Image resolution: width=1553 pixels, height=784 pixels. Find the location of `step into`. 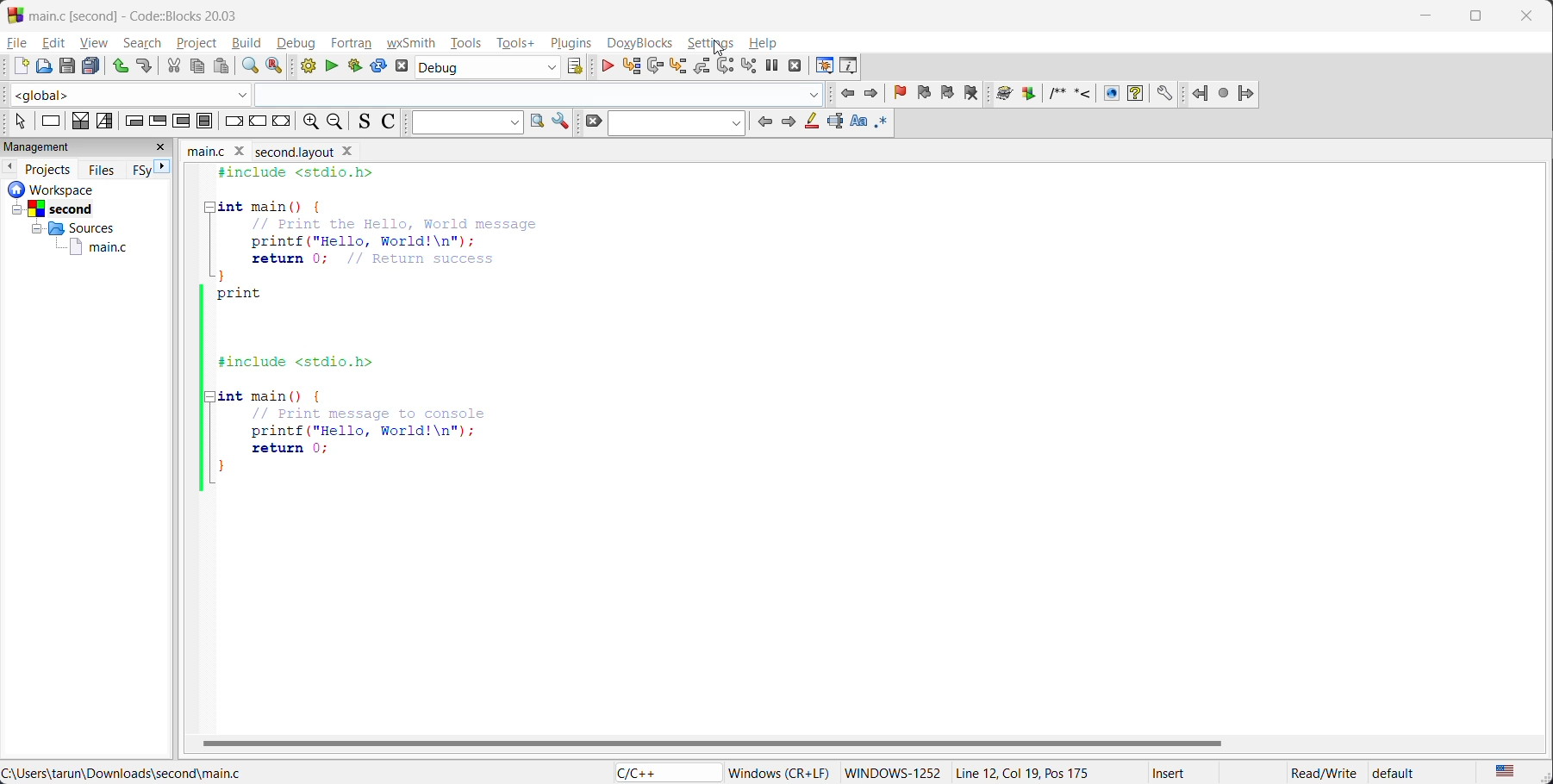

step into is located at coordinates (678, 65).